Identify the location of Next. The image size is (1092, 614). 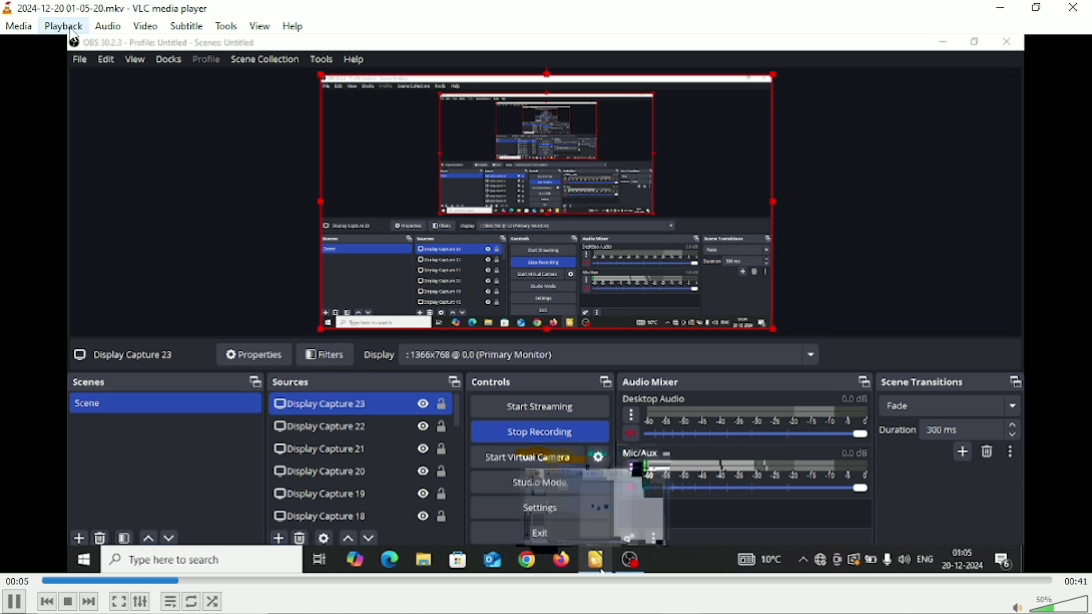
(89, 601).